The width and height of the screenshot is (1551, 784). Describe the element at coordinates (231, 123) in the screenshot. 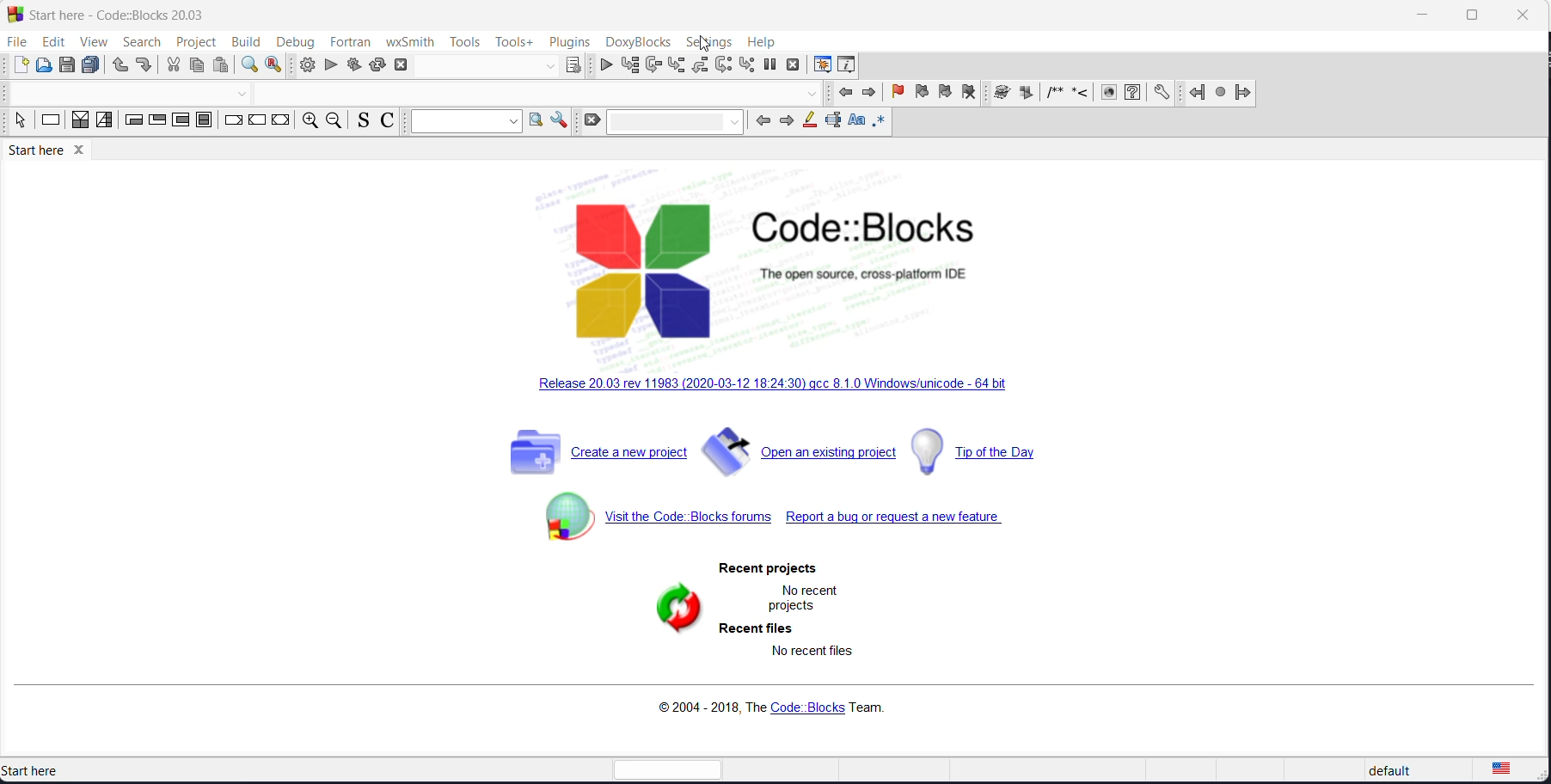

I see `break instruction` at that location.